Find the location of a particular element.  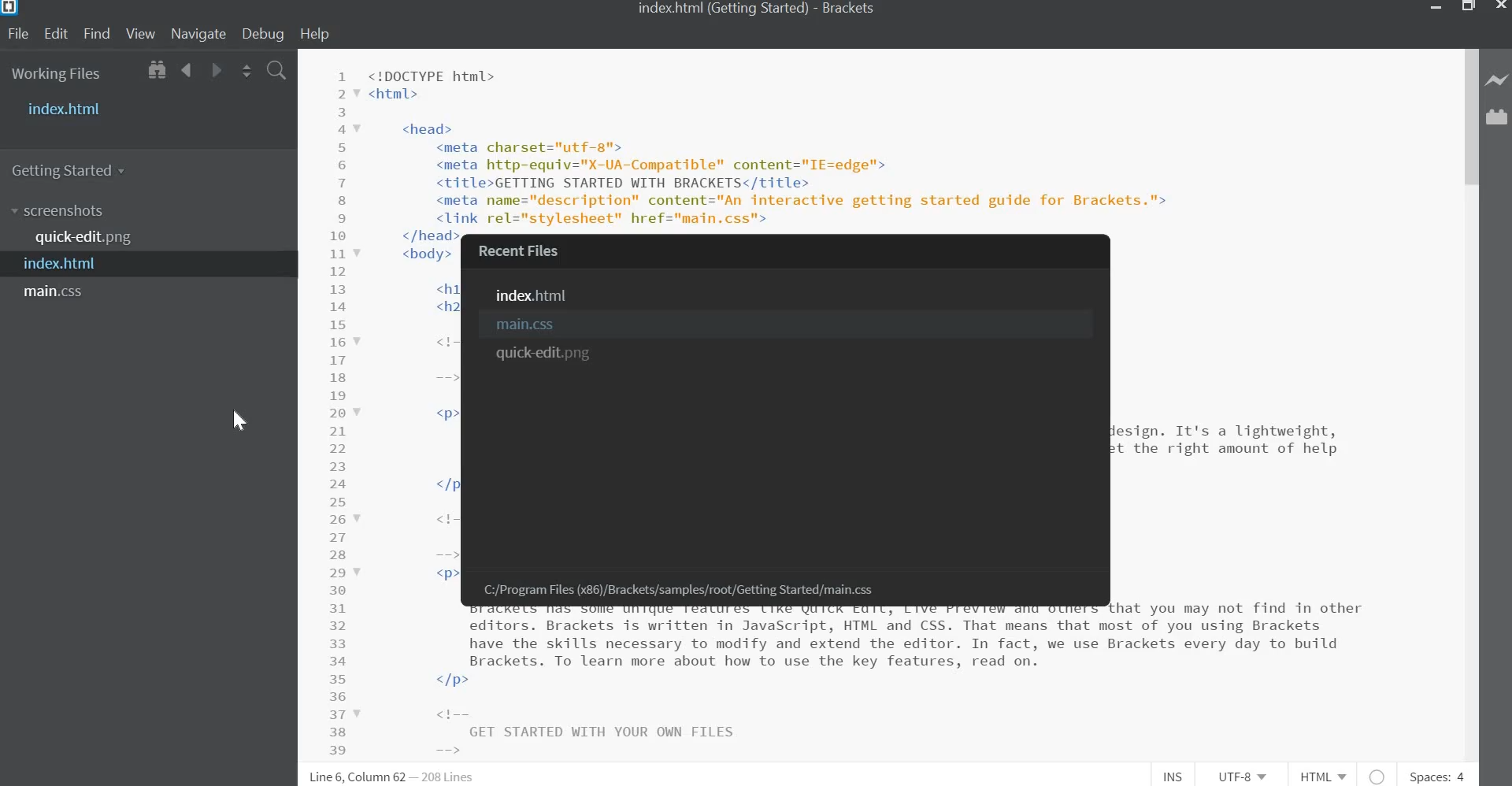

 is located at coordinates (1466, 8).